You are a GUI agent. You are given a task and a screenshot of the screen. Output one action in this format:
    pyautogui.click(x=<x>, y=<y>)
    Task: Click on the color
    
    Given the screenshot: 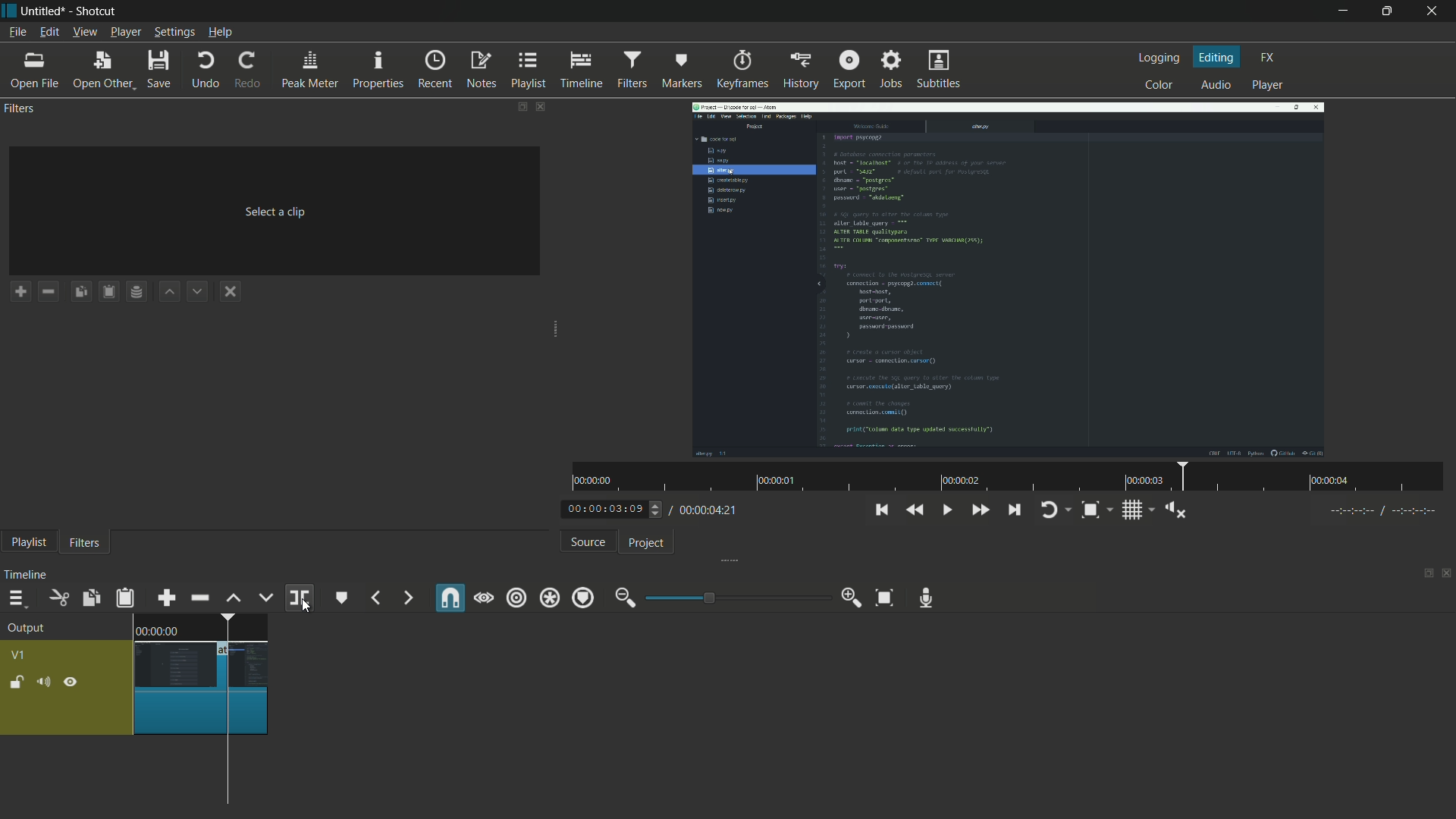 What is the action you would take?
    pyautogui.click(x=1159, y=86)
    